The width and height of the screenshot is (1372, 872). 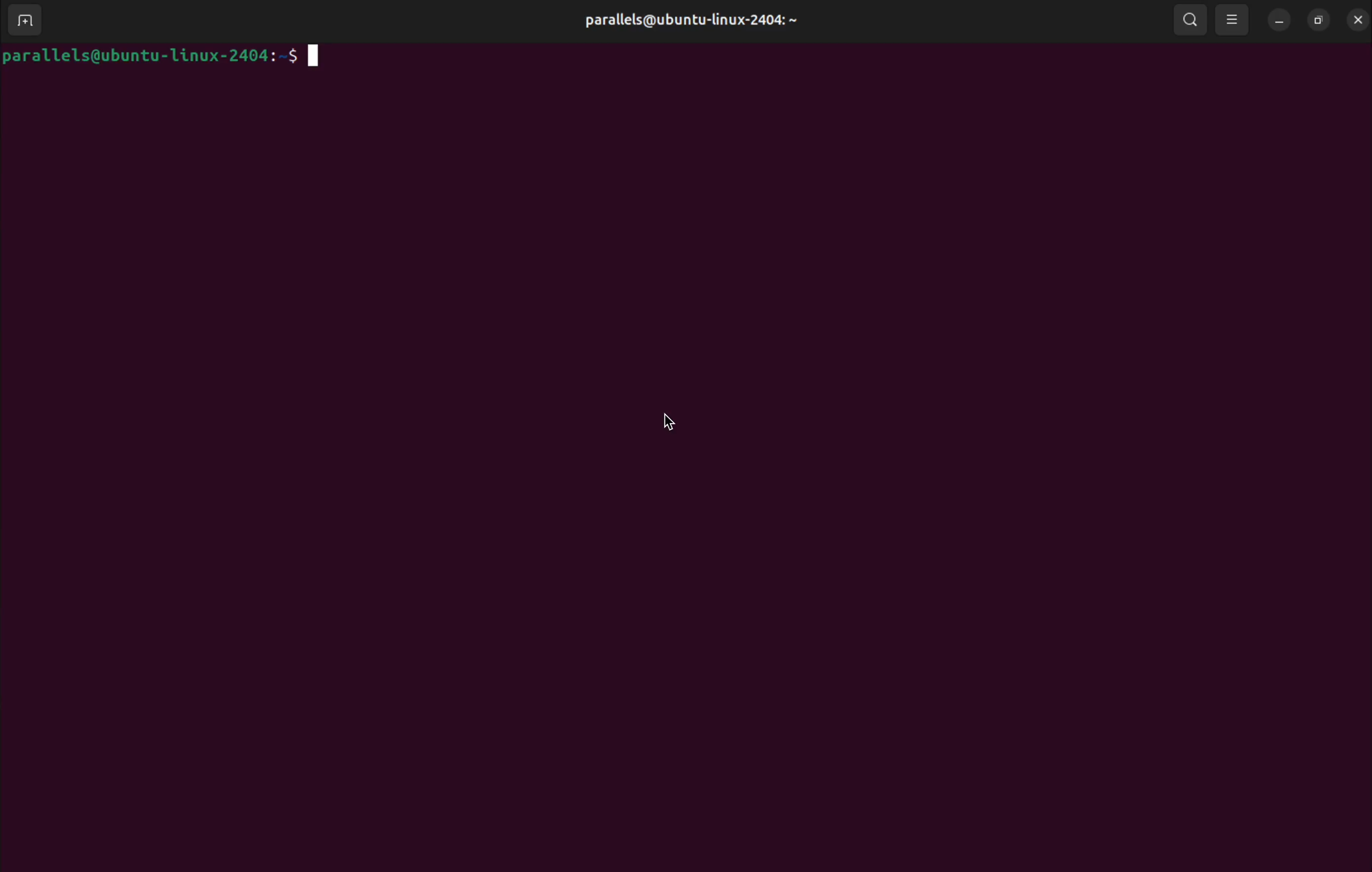 What do you see at coordinates (1234, 19) in the screenshot?
I see `view options` at bounding box center [1234, 19].